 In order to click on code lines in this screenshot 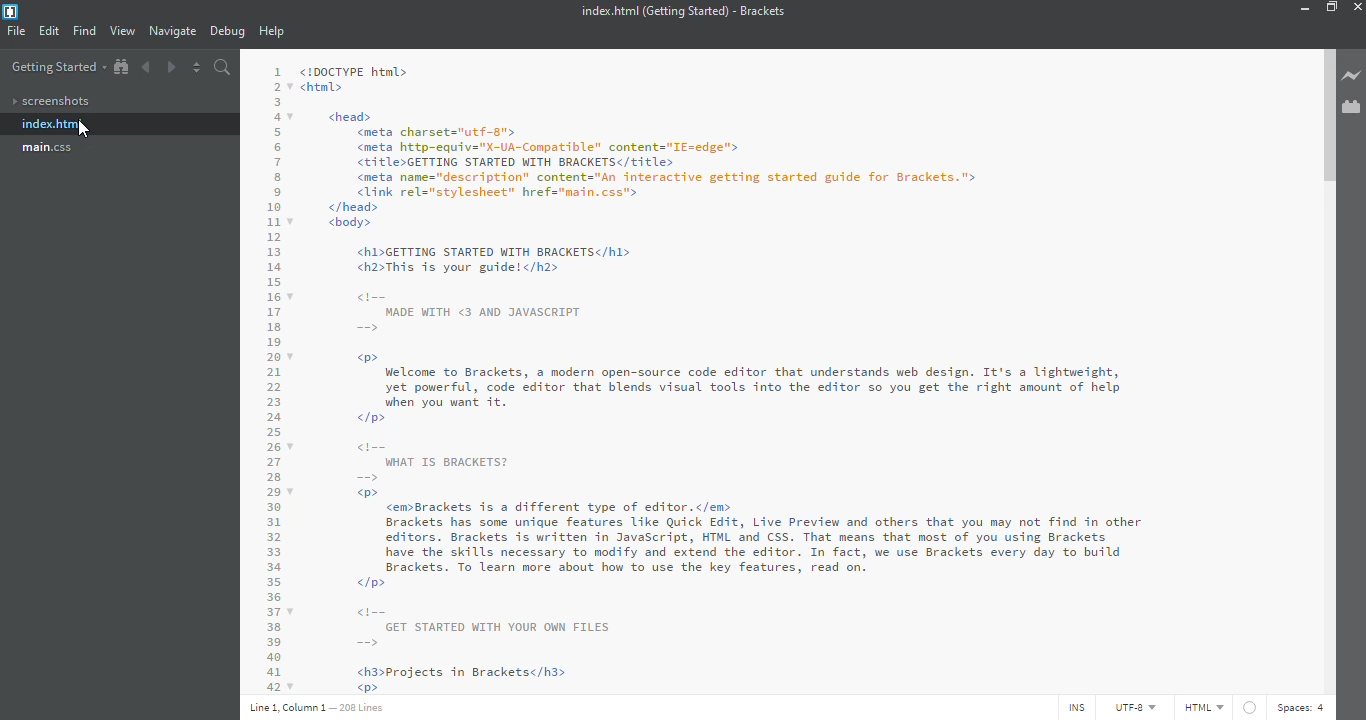, I will do `click(270, 374)`.